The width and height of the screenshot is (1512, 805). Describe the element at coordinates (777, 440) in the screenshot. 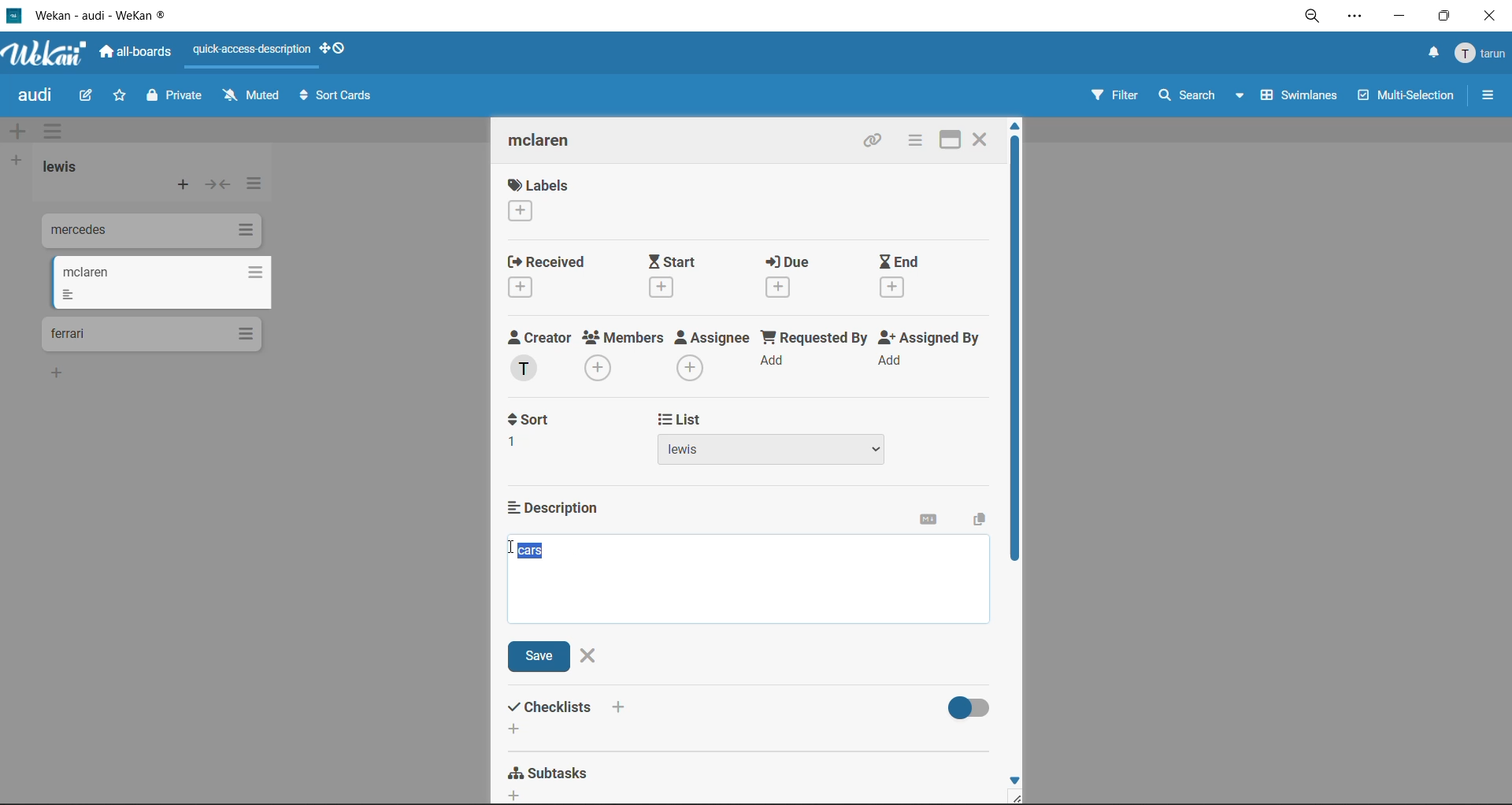

I see `list` at that location.